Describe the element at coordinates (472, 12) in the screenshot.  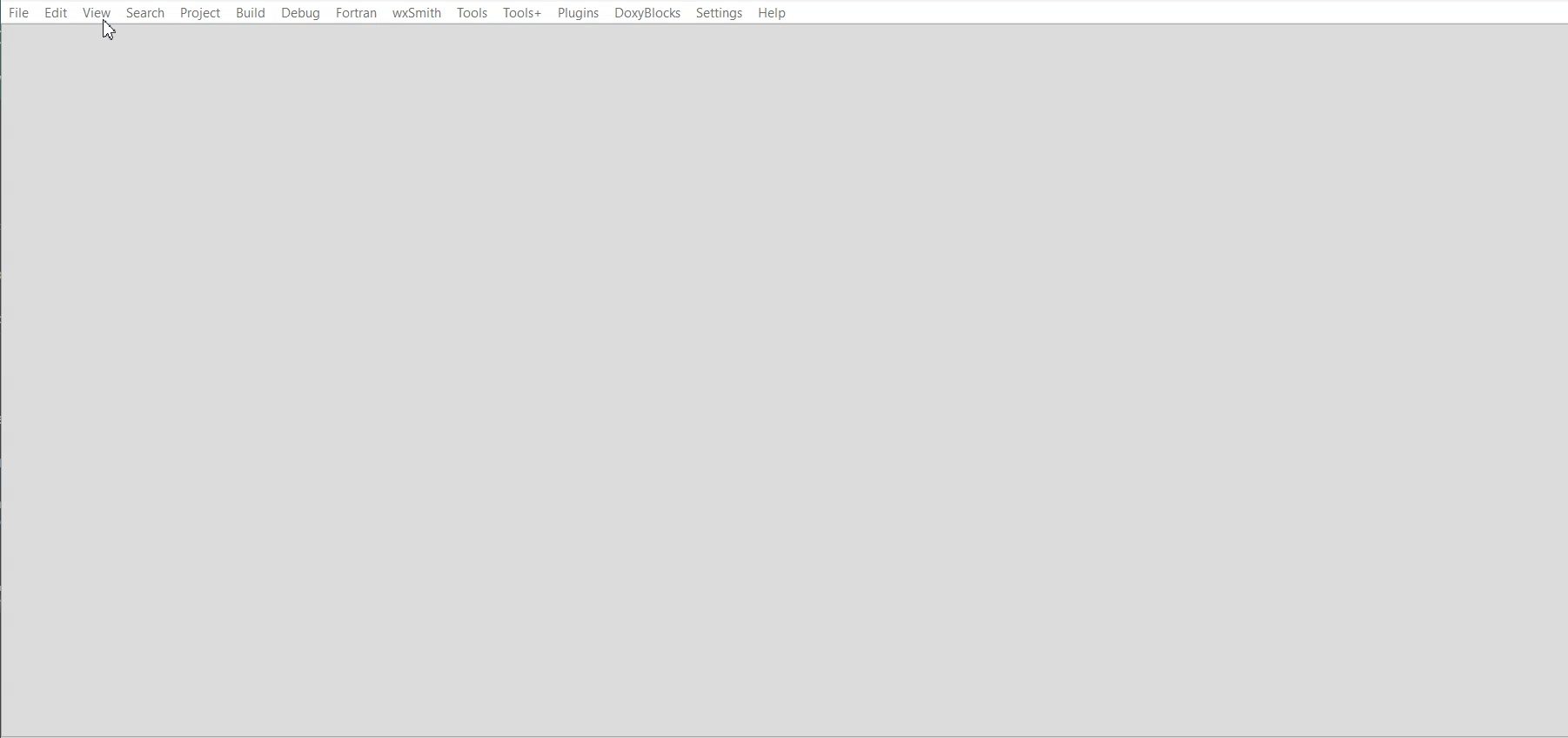
I see `Tools` at that location.